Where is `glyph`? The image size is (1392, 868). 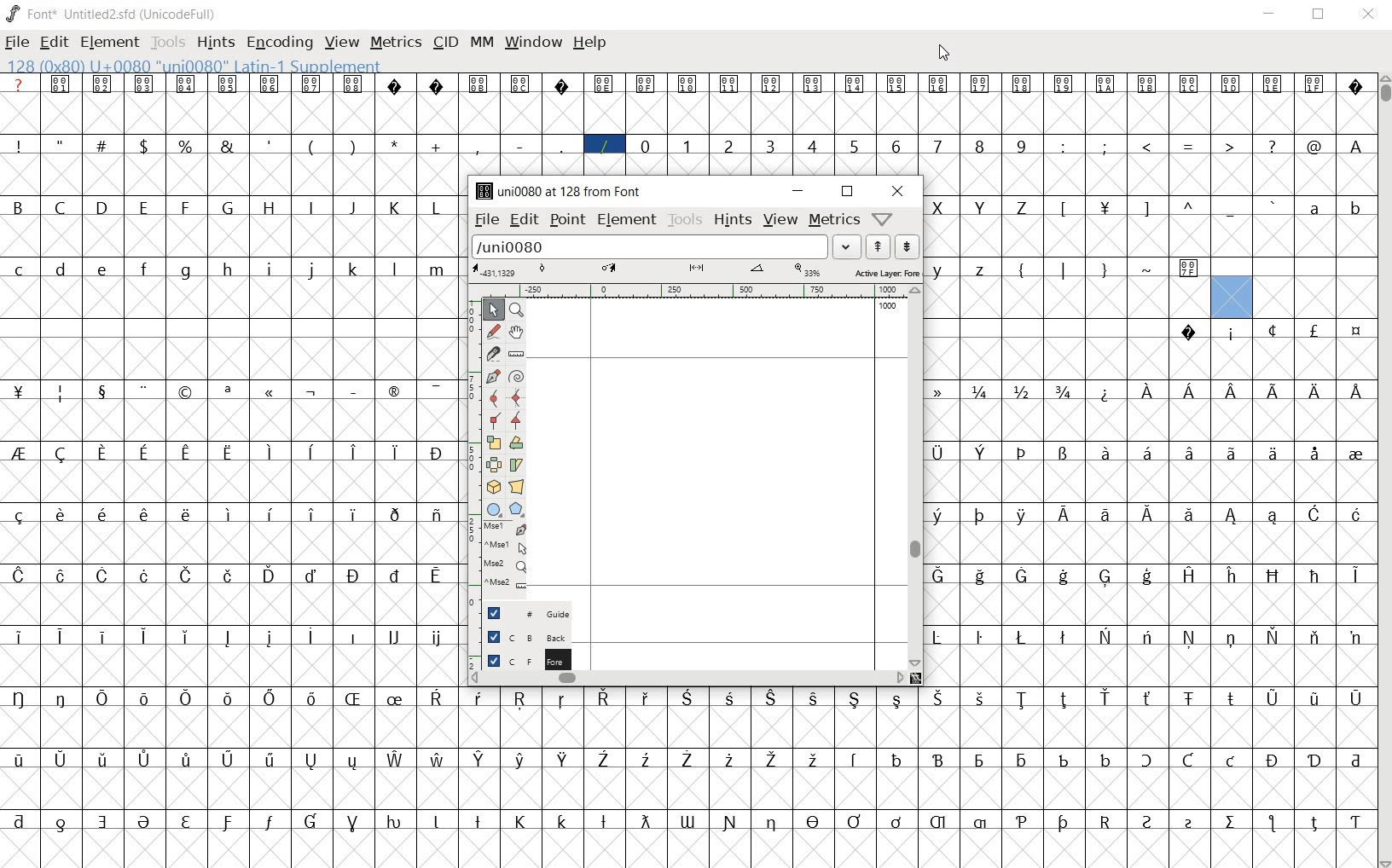
glyph is located at coordinates (1271, 823).